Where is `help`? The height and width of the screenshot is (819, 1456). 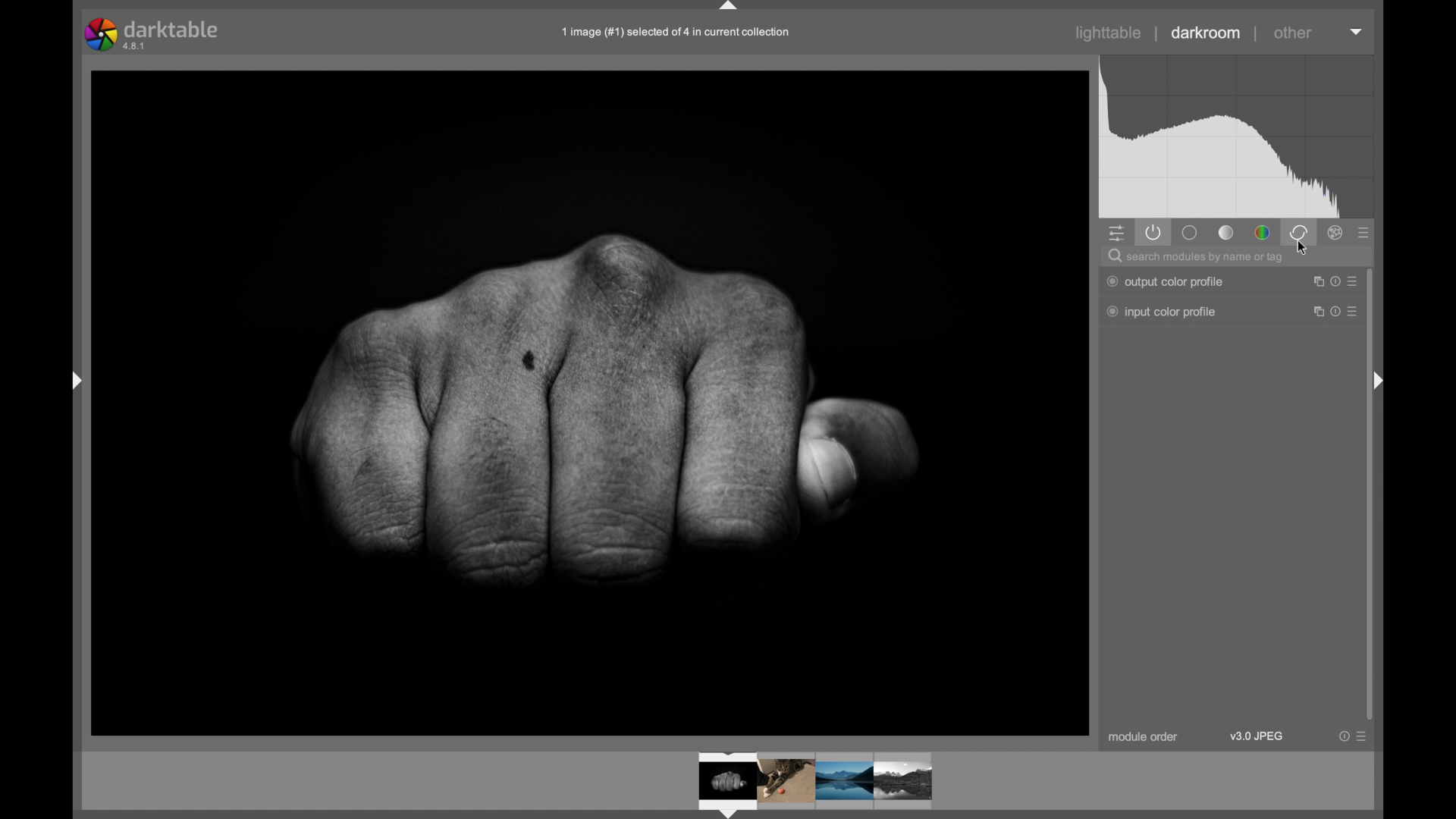 help is located at coordinates (1334, 282).